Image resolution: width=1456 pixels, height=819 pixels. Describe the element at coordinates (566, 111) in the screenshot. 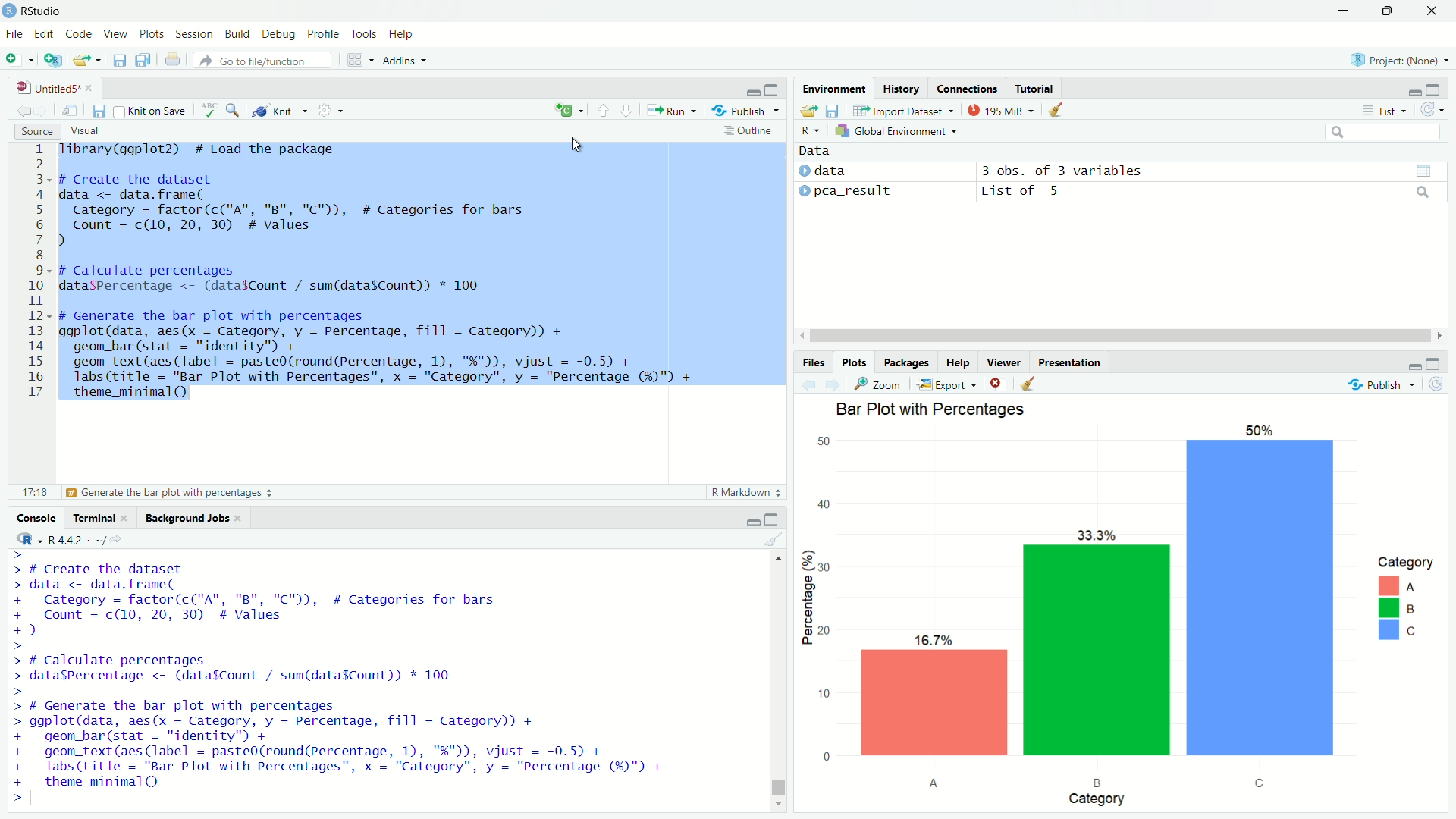

I see `language select` at that location.